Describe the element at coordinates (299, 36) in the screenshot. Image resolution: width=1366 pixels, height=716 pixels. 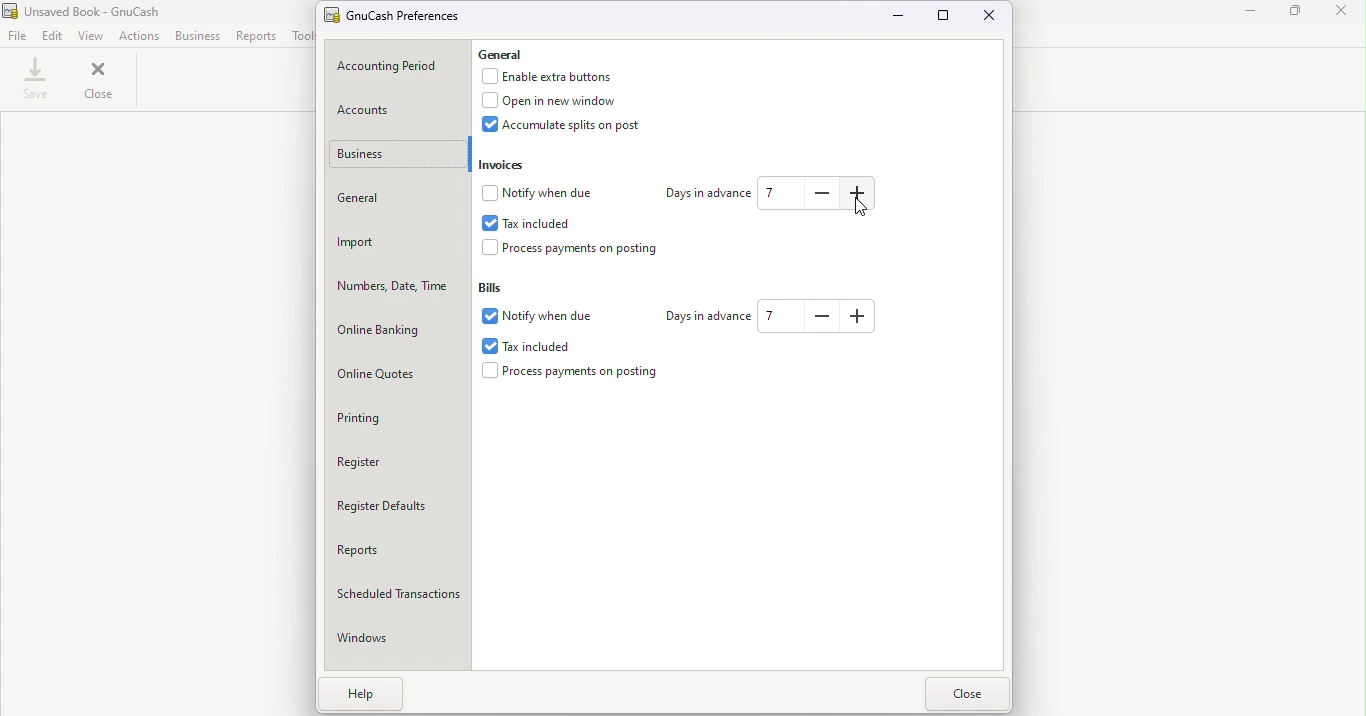
I see `Tools` at that location.